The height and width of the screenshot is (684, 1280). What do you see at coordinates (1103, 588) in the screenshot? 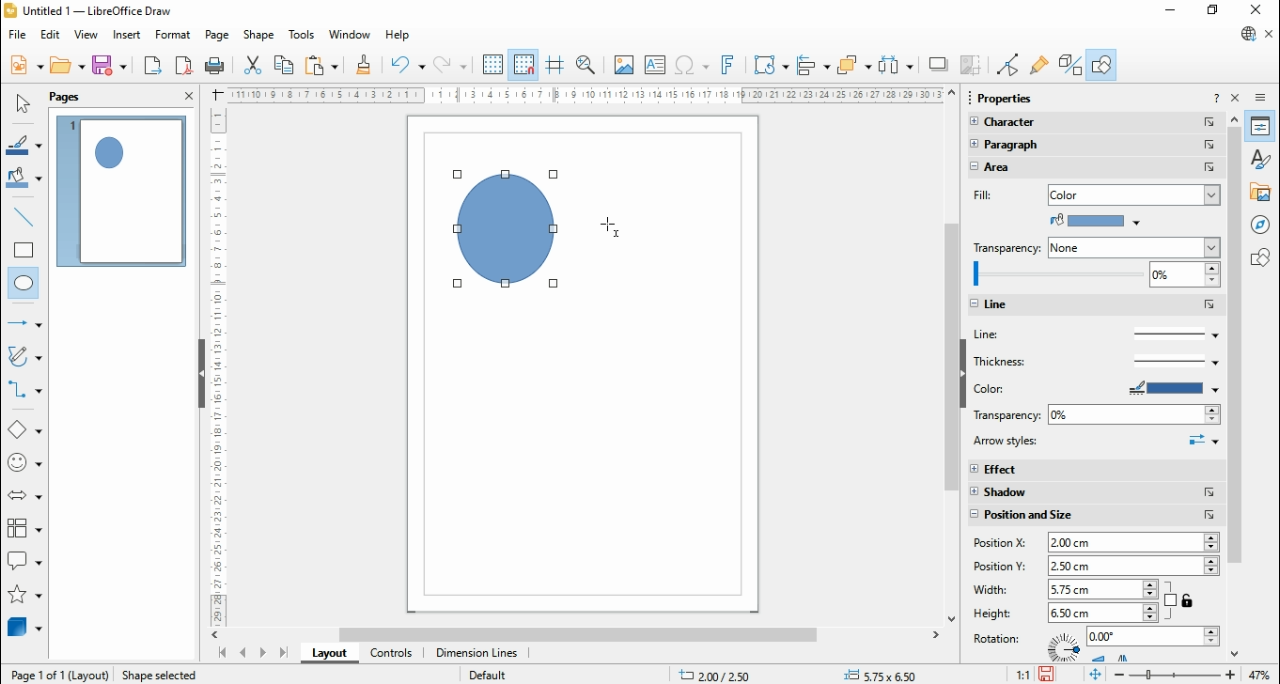
I see `5.75cm` at bounding box center [1103, 588].